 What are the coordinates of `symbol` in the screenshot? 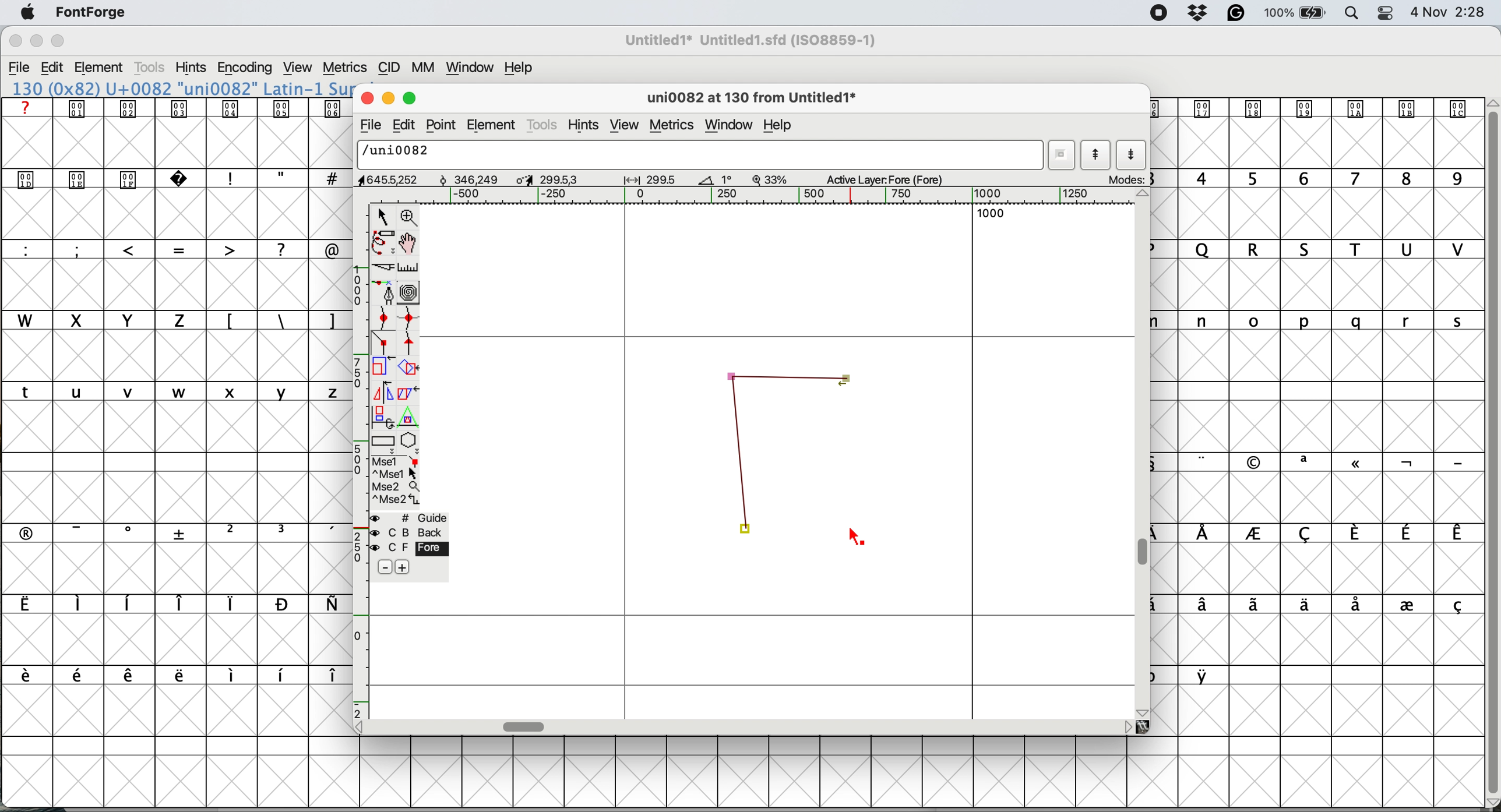 It's located at (1206, 675).